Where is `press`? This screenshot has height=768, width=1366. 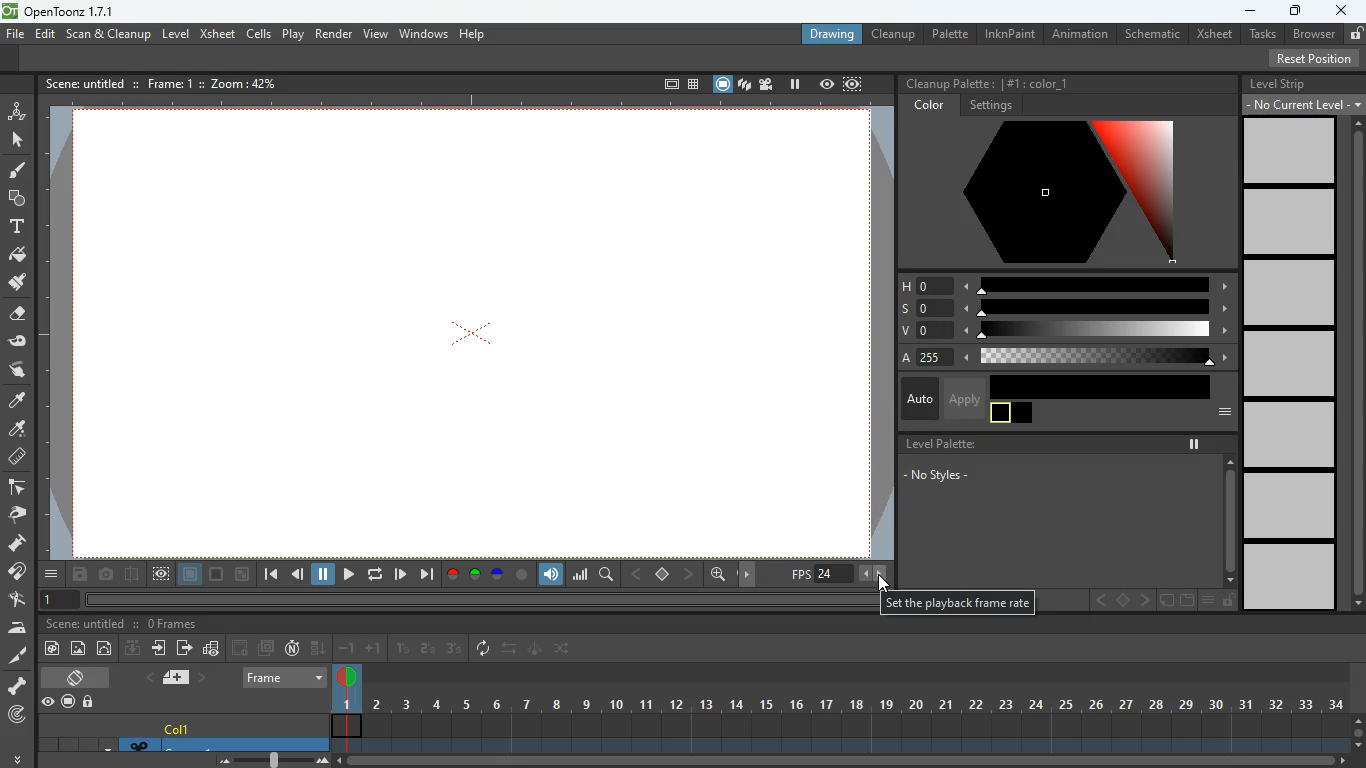
press is located at coordinates (14, 544).